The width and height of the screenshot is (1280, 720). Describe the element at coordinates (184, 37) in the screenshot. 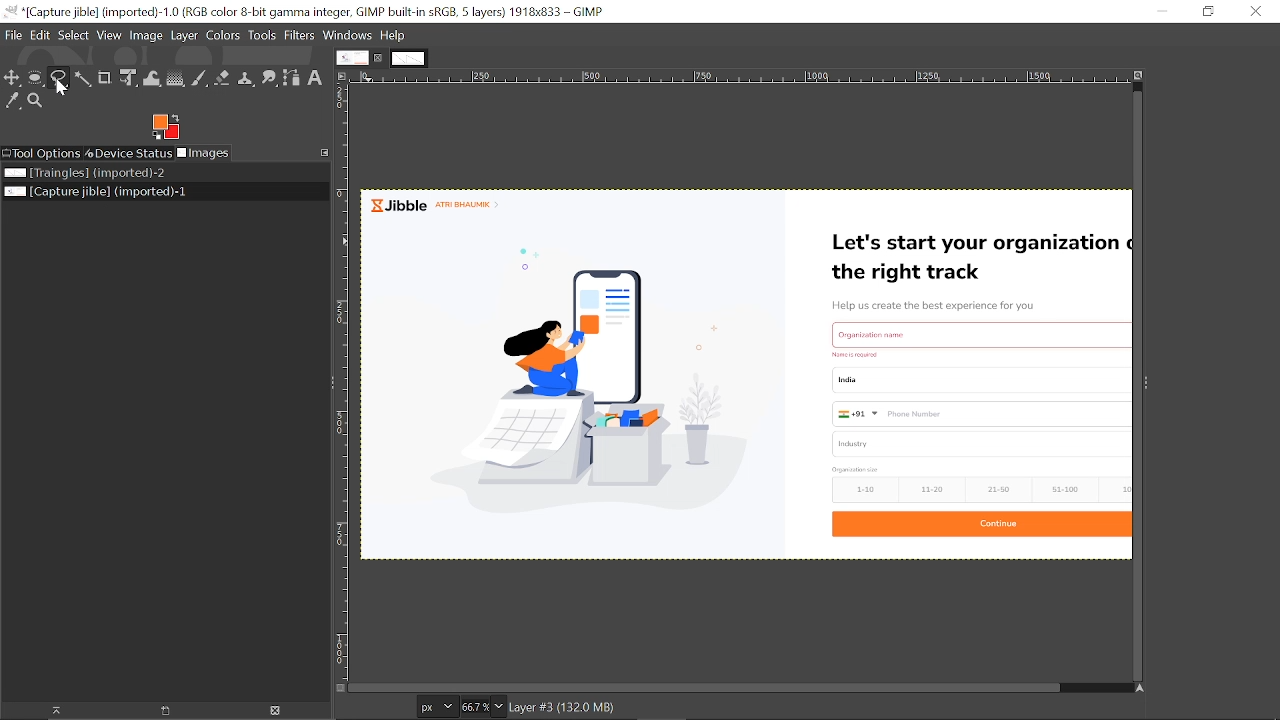

I see `Layer` at that location.